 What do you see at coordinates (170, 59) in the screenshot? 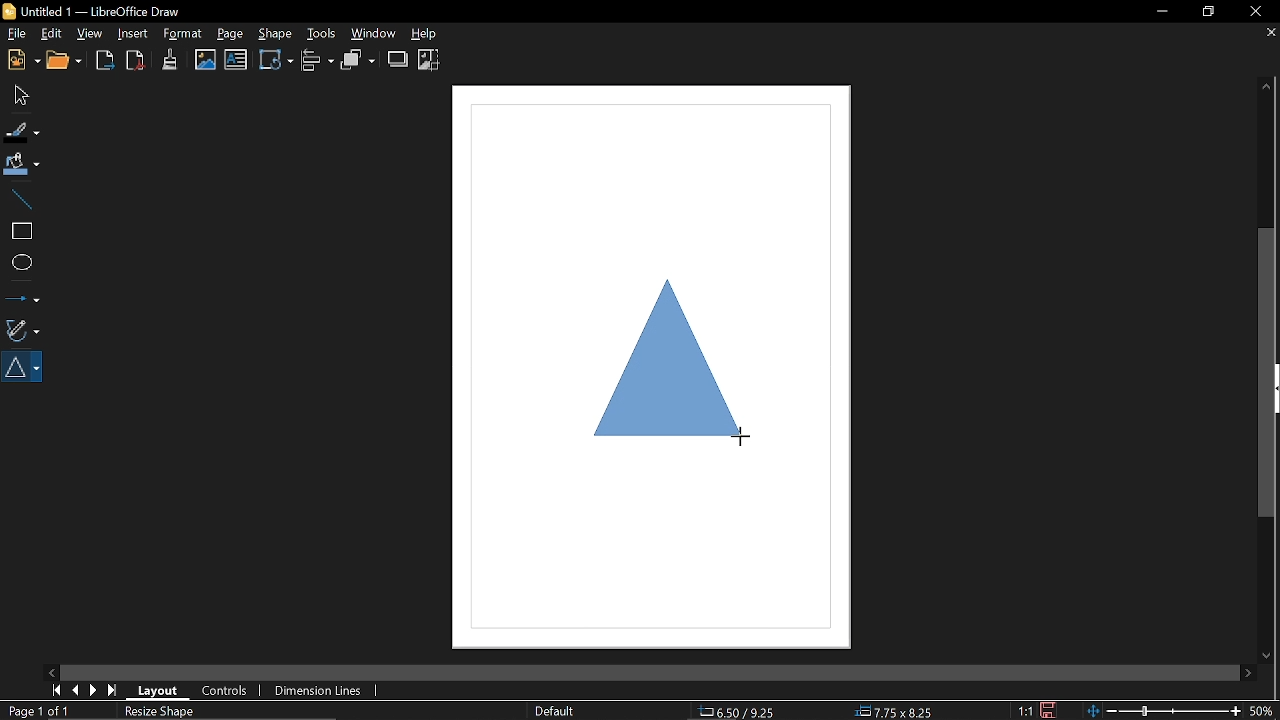
I see `Clone` at bounding box center [170, 59].